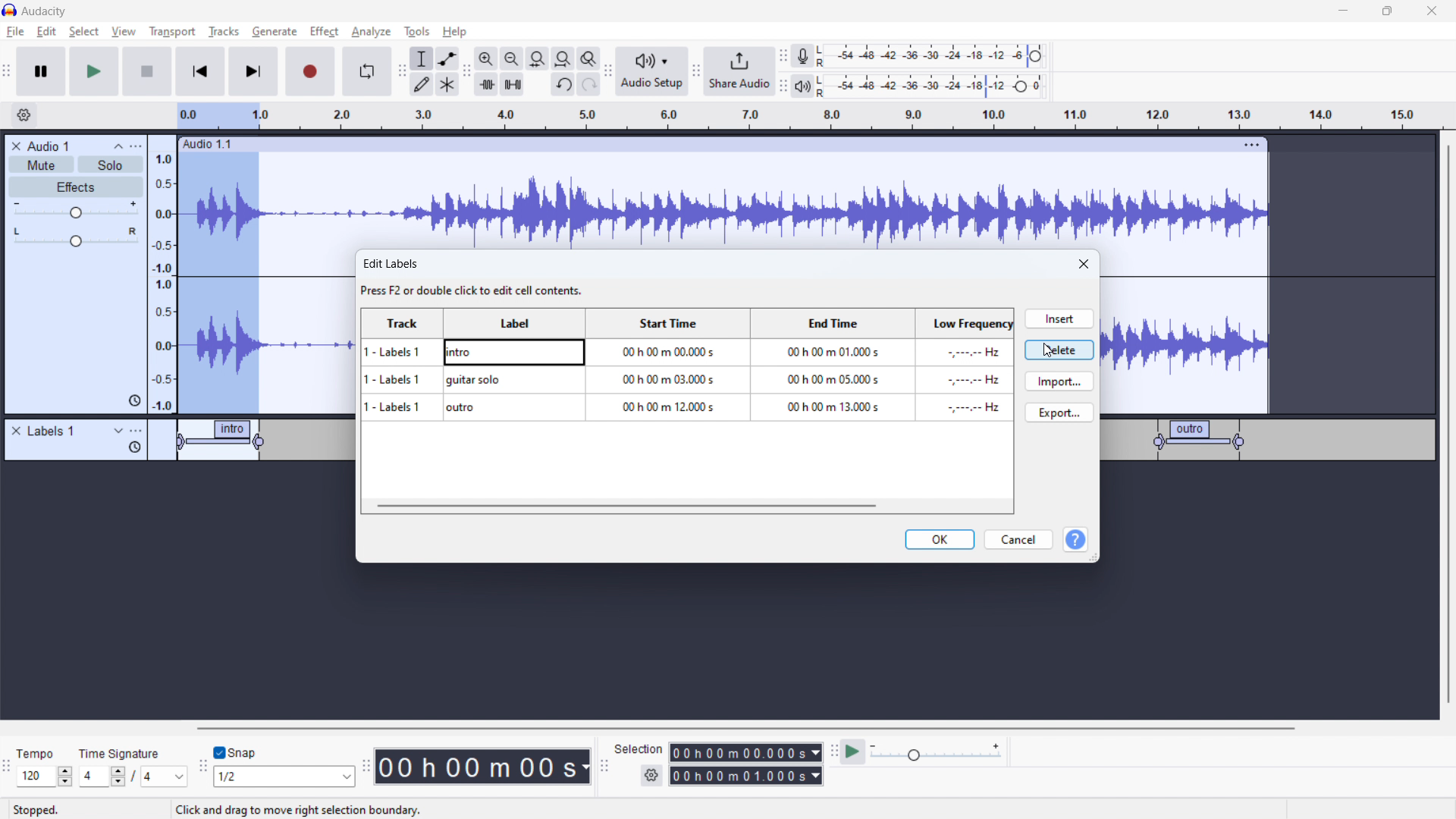 This screenshot has width=1456, height=819. I want to click on menu, so click(137, 146).